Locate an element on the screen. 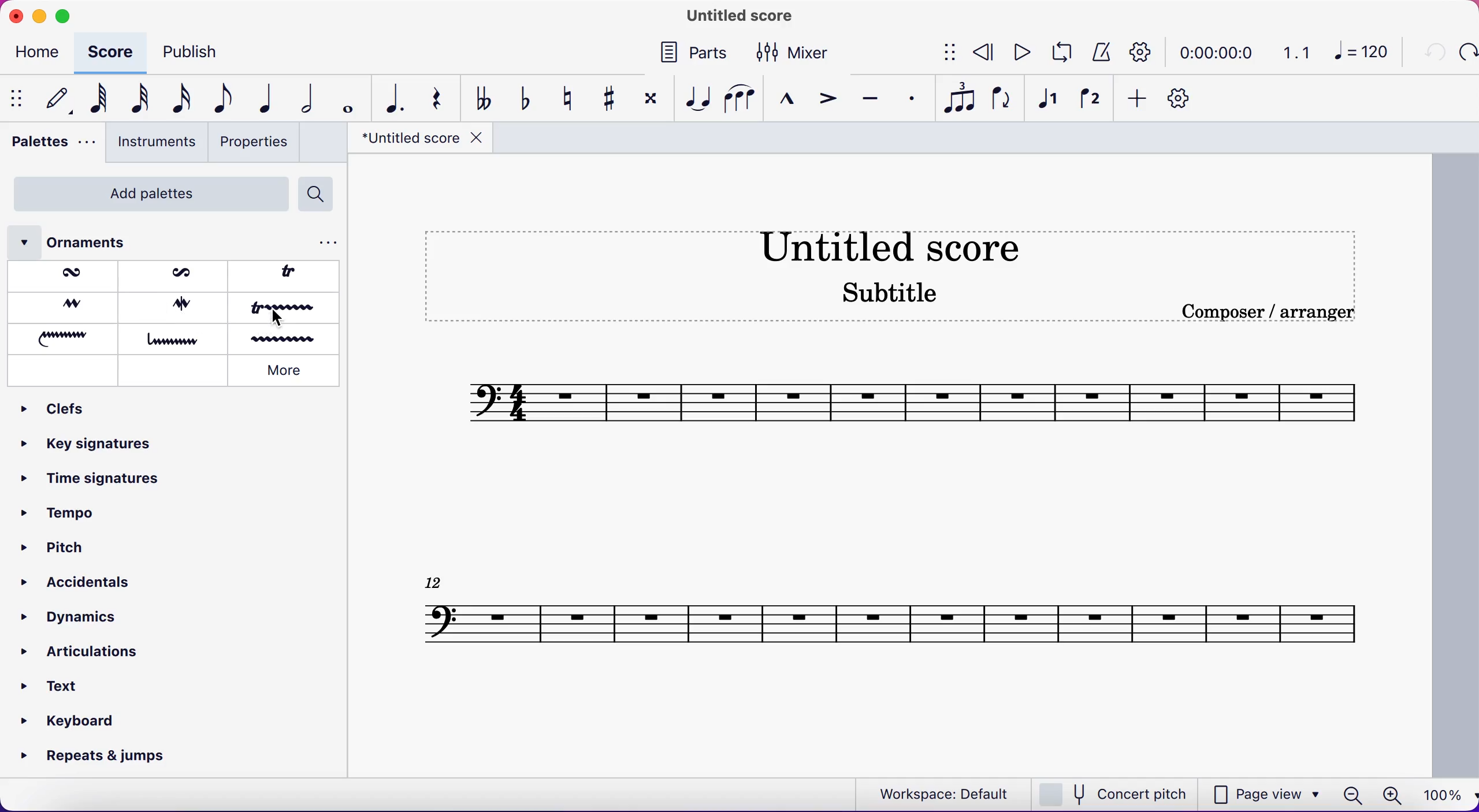 The height and width of the screenshot is (812, 1479). title is located at coordinates (734, 17).